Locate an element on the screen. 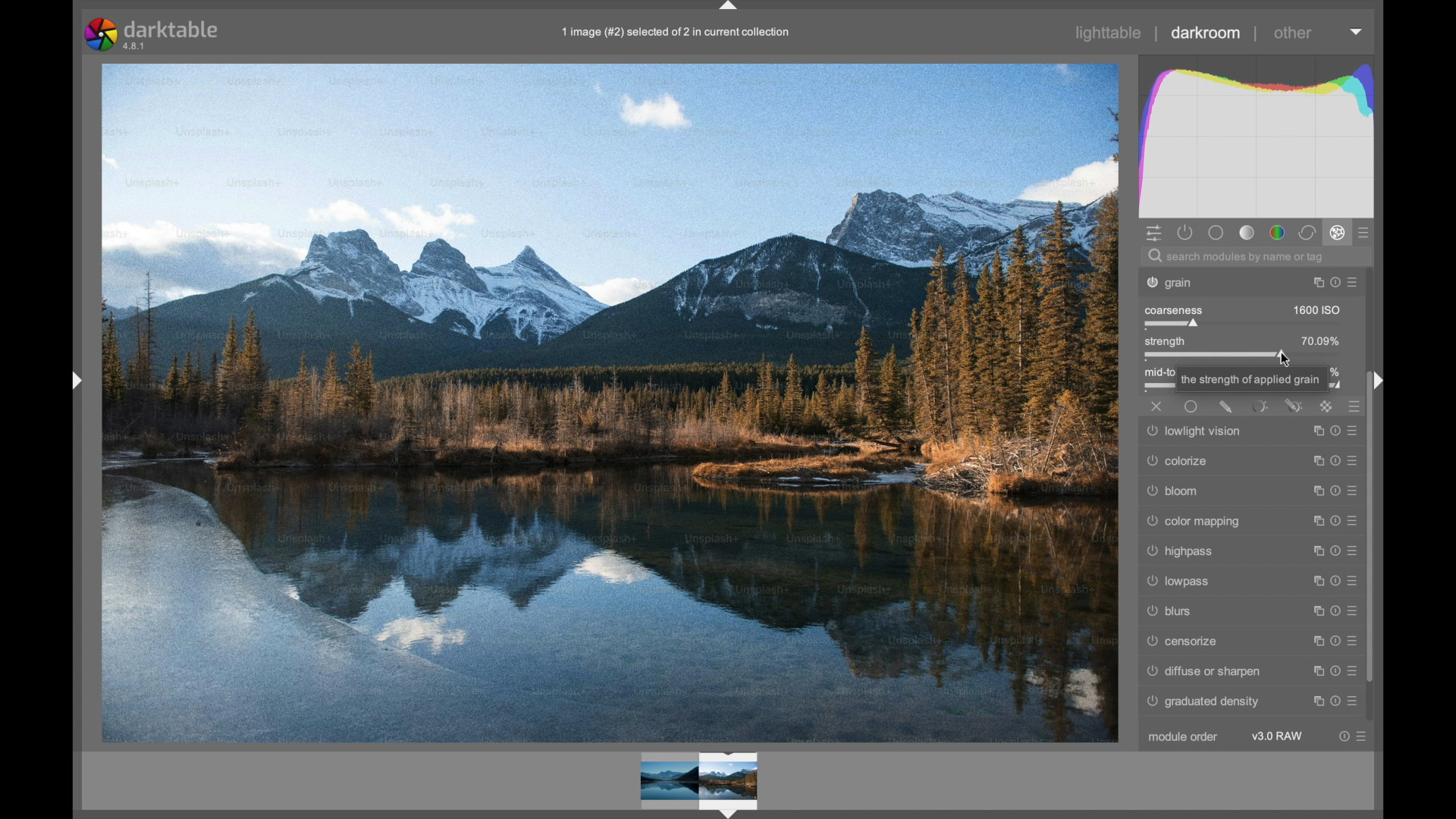 The image size is (1456, 819). 70.09% is located at coordinates (1321, 340).